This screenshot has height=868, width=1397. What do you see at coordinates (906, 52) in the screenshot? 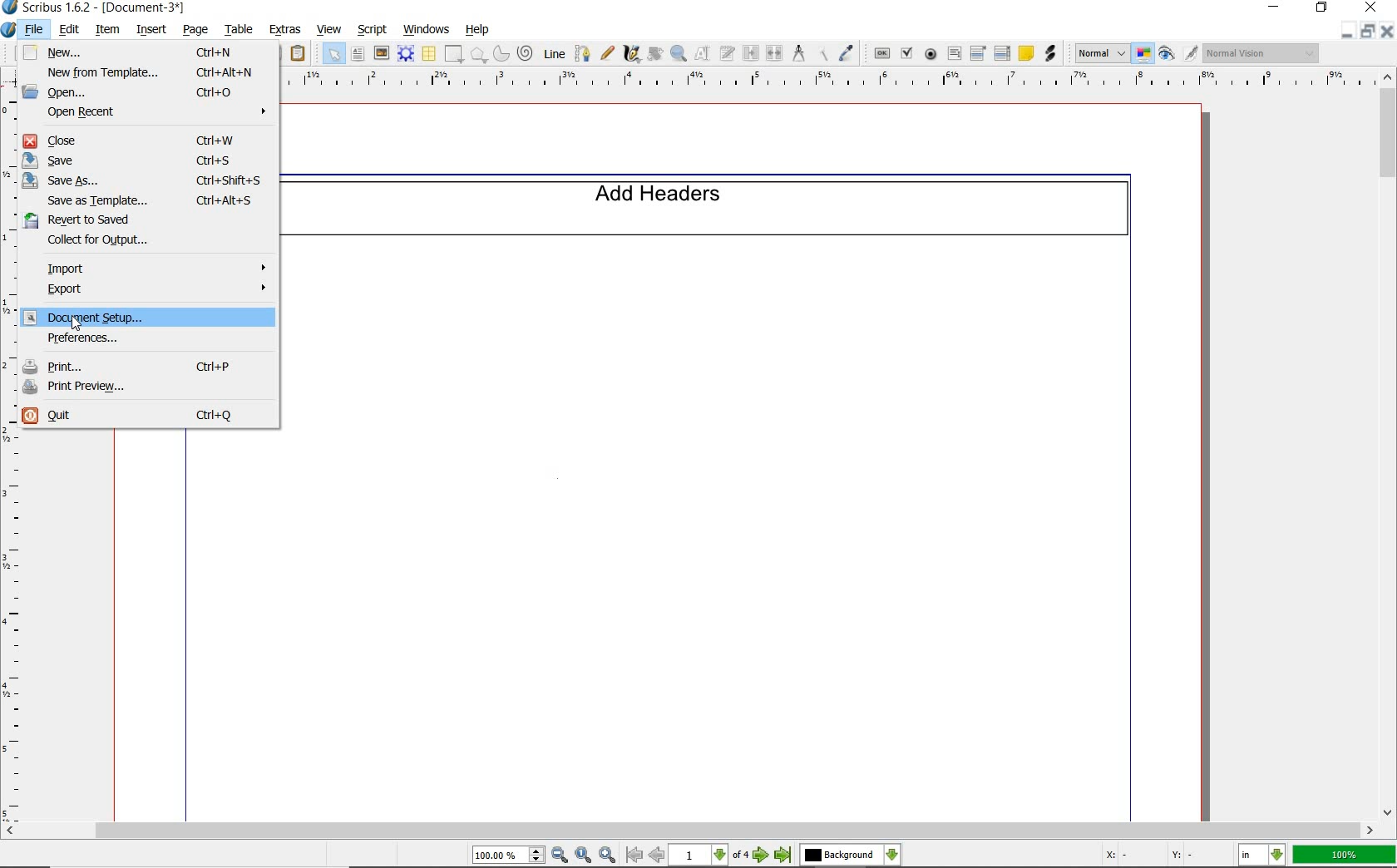
I see `pdf check box` at bounding box center [906, 52].